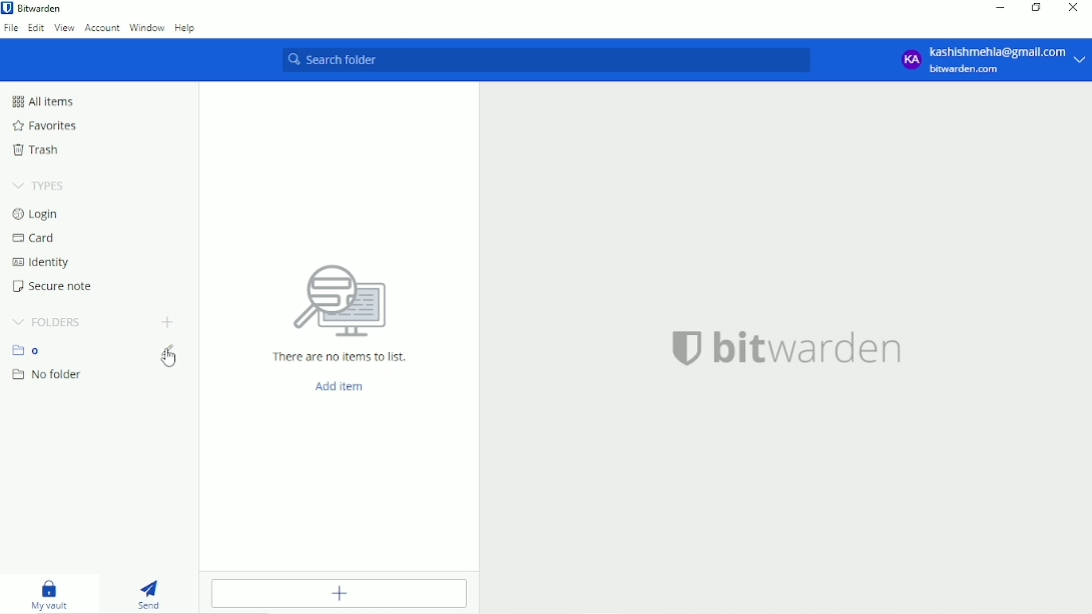  Describe the element at coordinates (36, 8) in the screenshot. I see `Bitwarden` at that location.